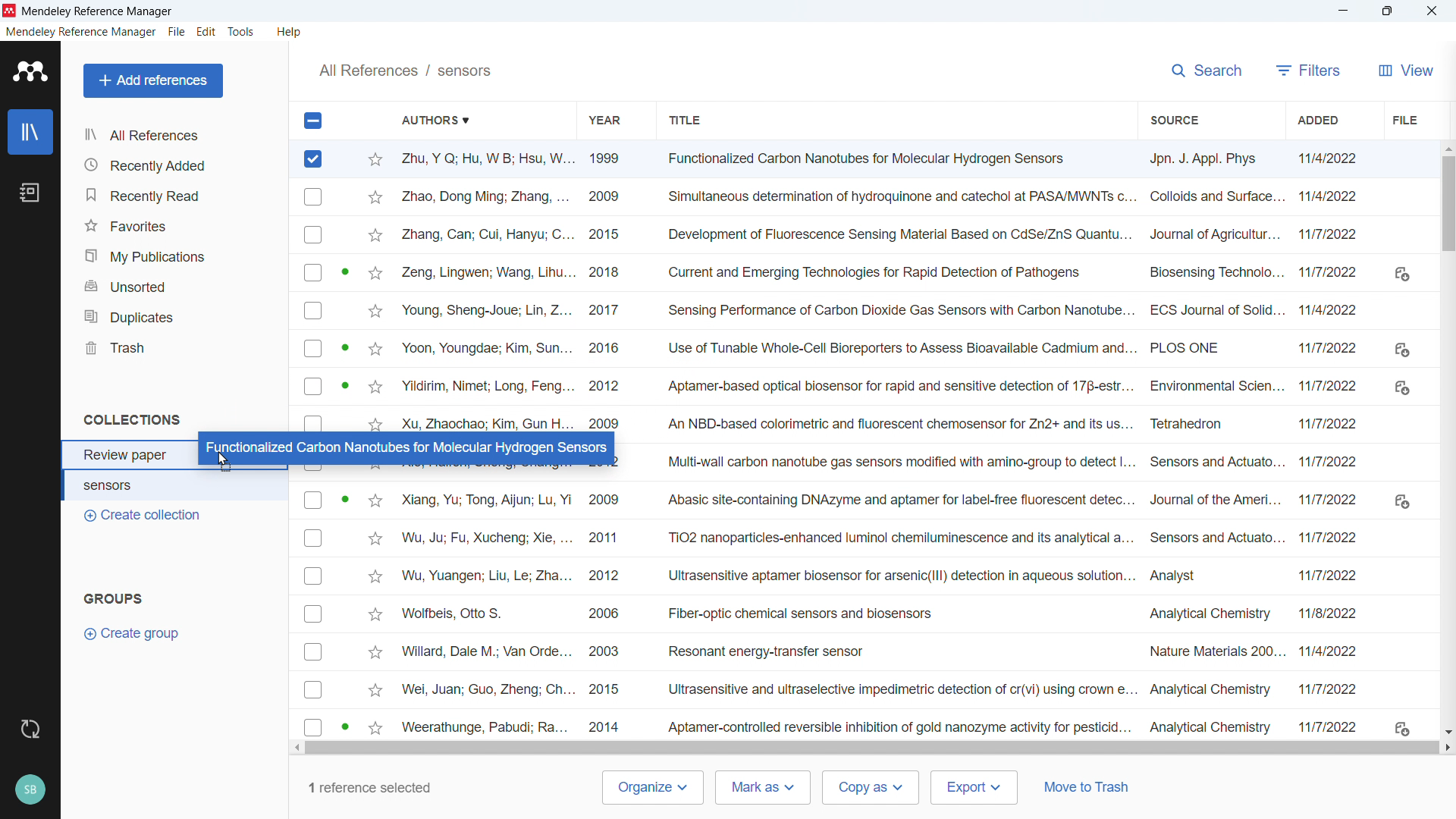  I want to click on Copy as, so click(871, 787).